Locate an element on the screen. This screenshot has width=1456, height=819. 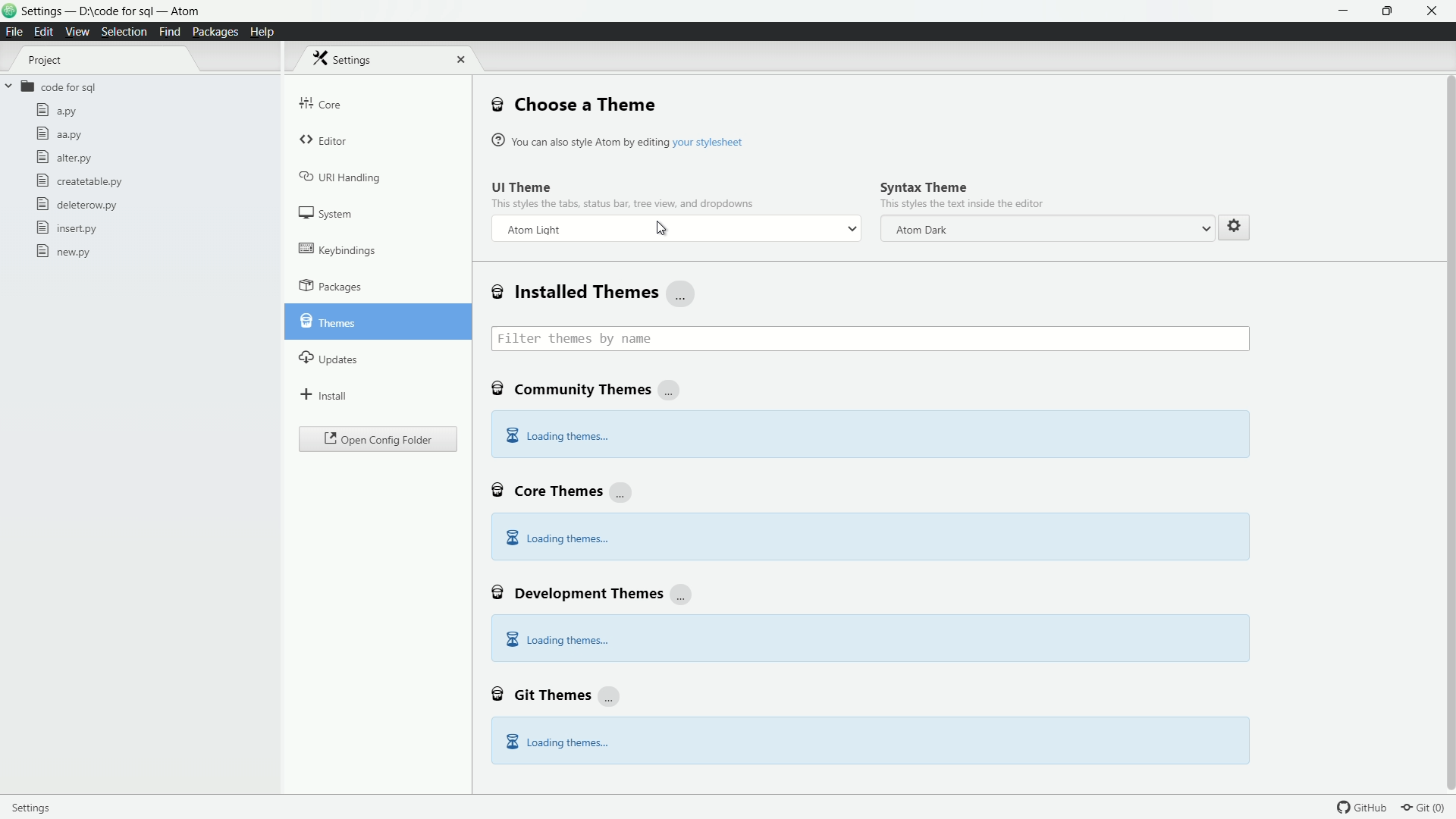
project - D:\code for sql - atom is located at coordinates (110, 12).